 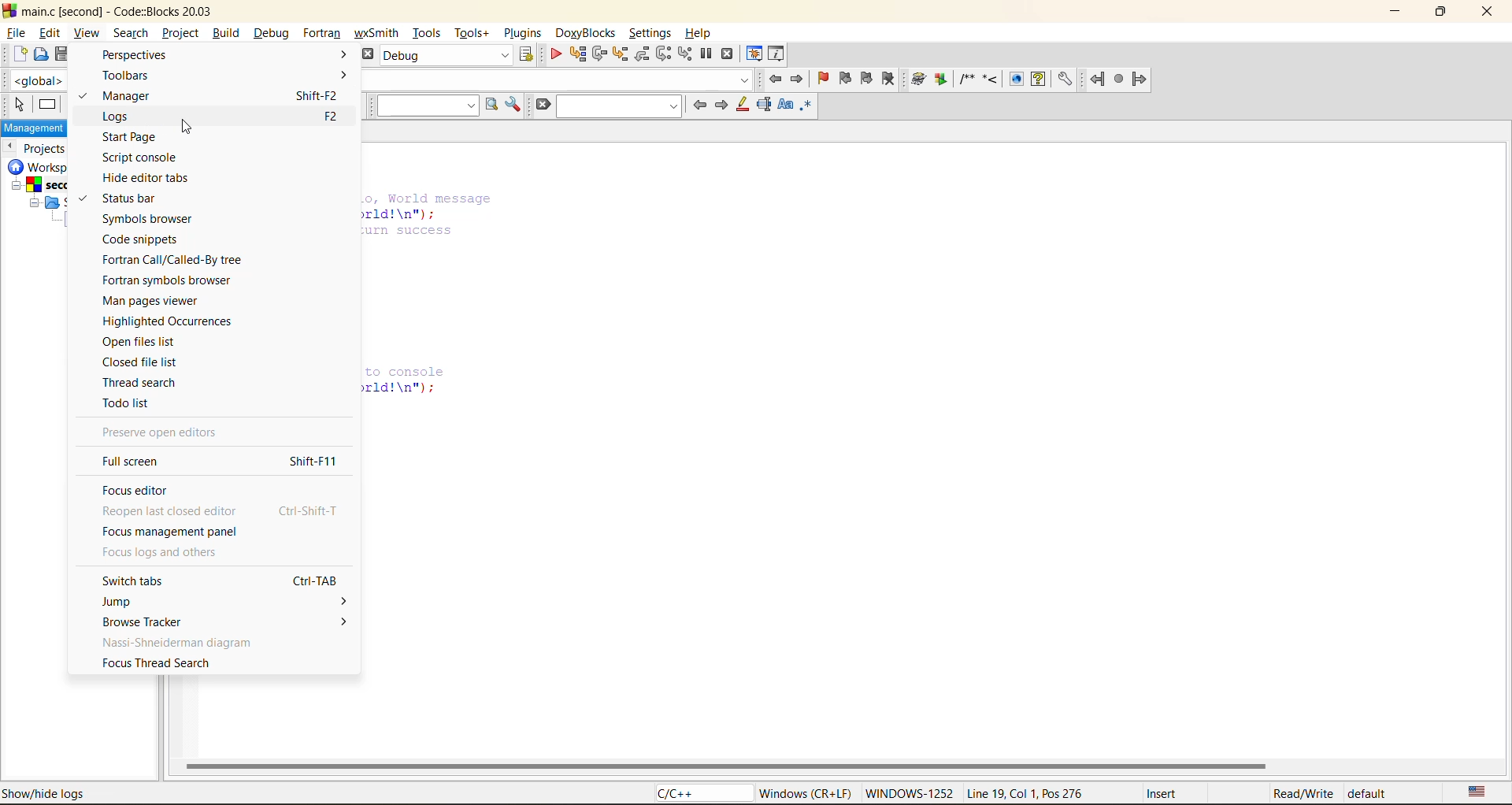 I want to click on step into instruction, so click(x=686, y=54).